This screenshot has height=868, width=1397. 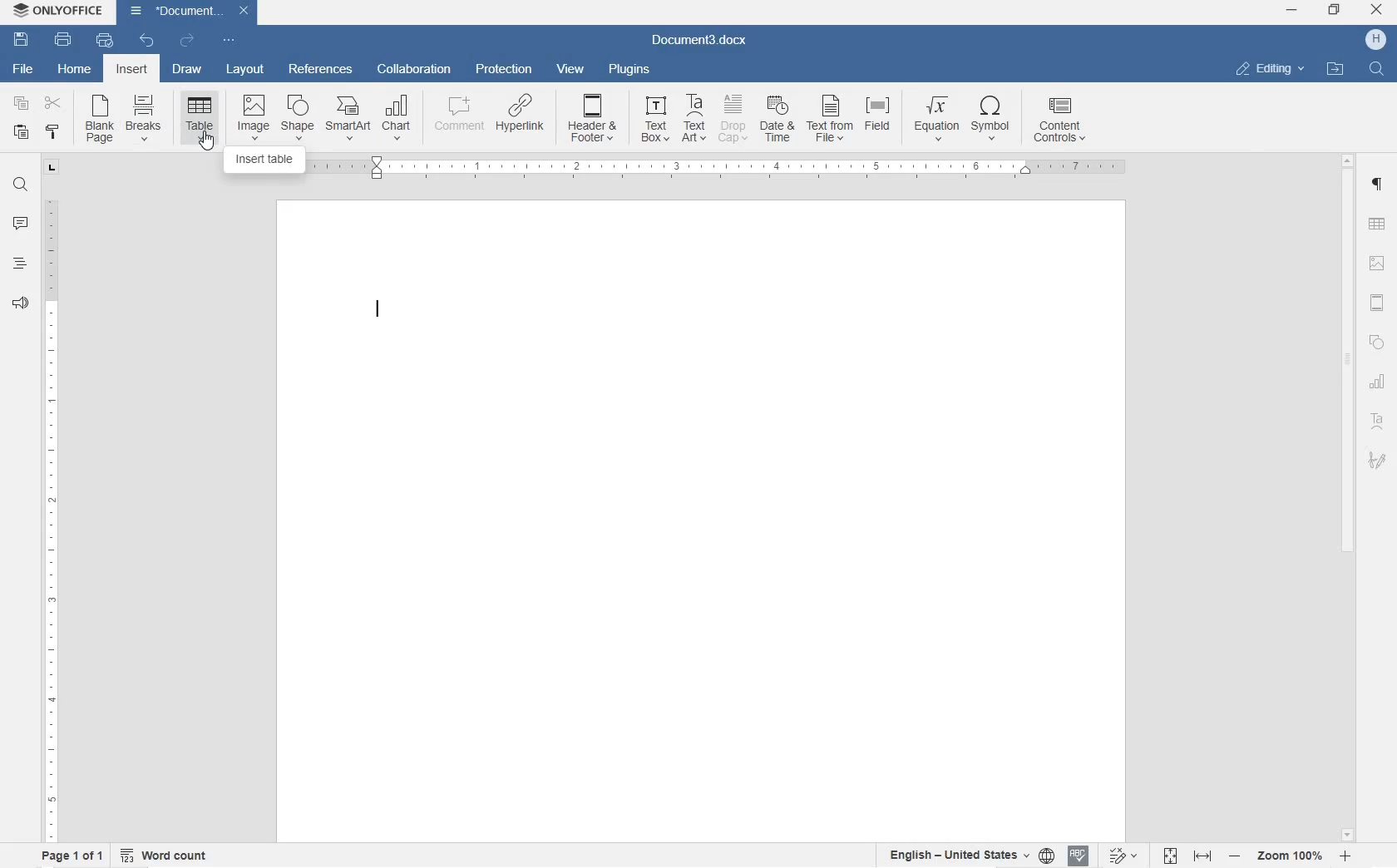 What do you see at coordinates (1335, 70) in the screenshot?
I see `open file location` at bounding box center [1335, 70].